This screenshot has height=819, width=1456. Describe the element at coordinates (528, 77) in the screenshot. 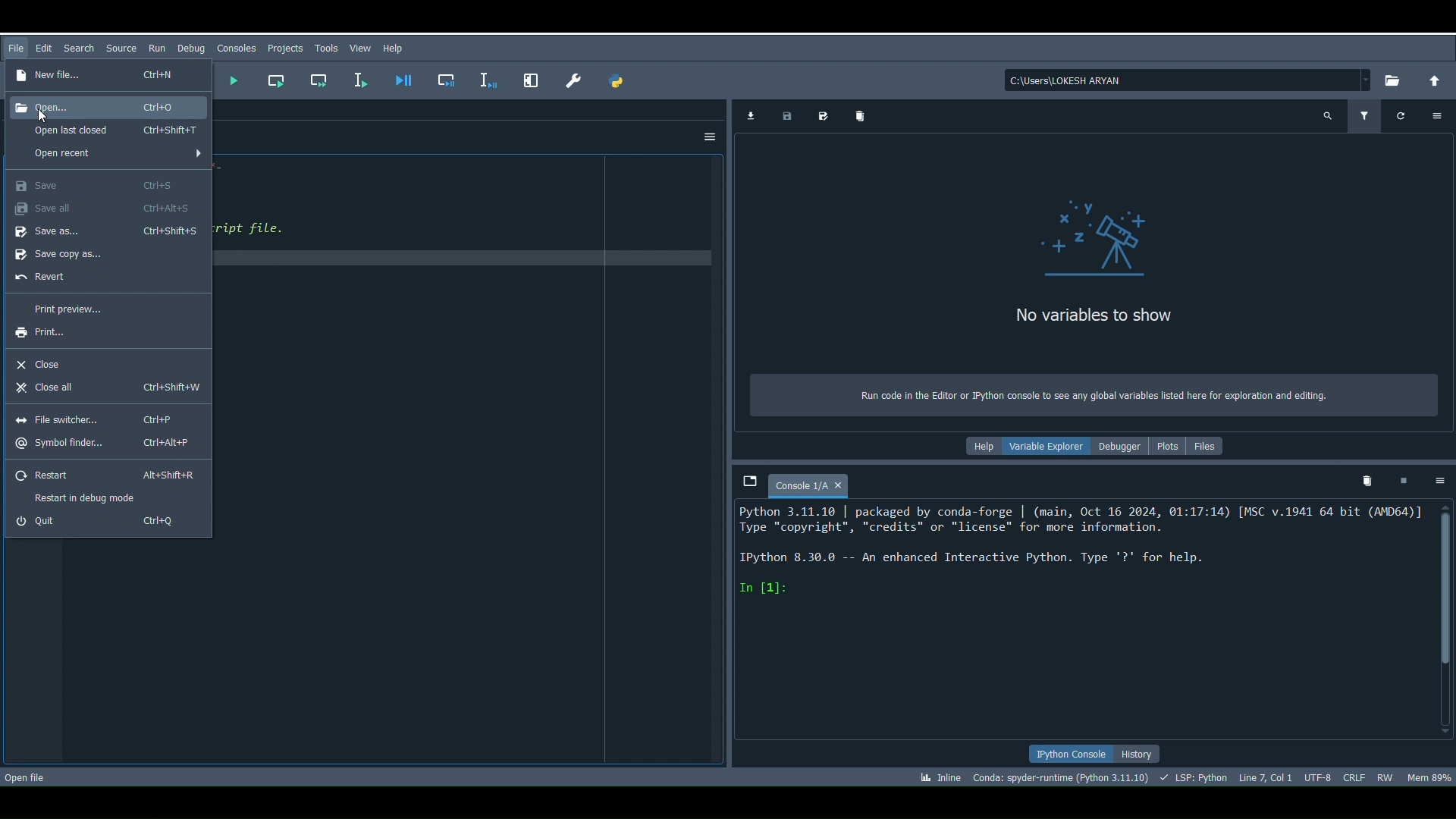

I see `` at that location.